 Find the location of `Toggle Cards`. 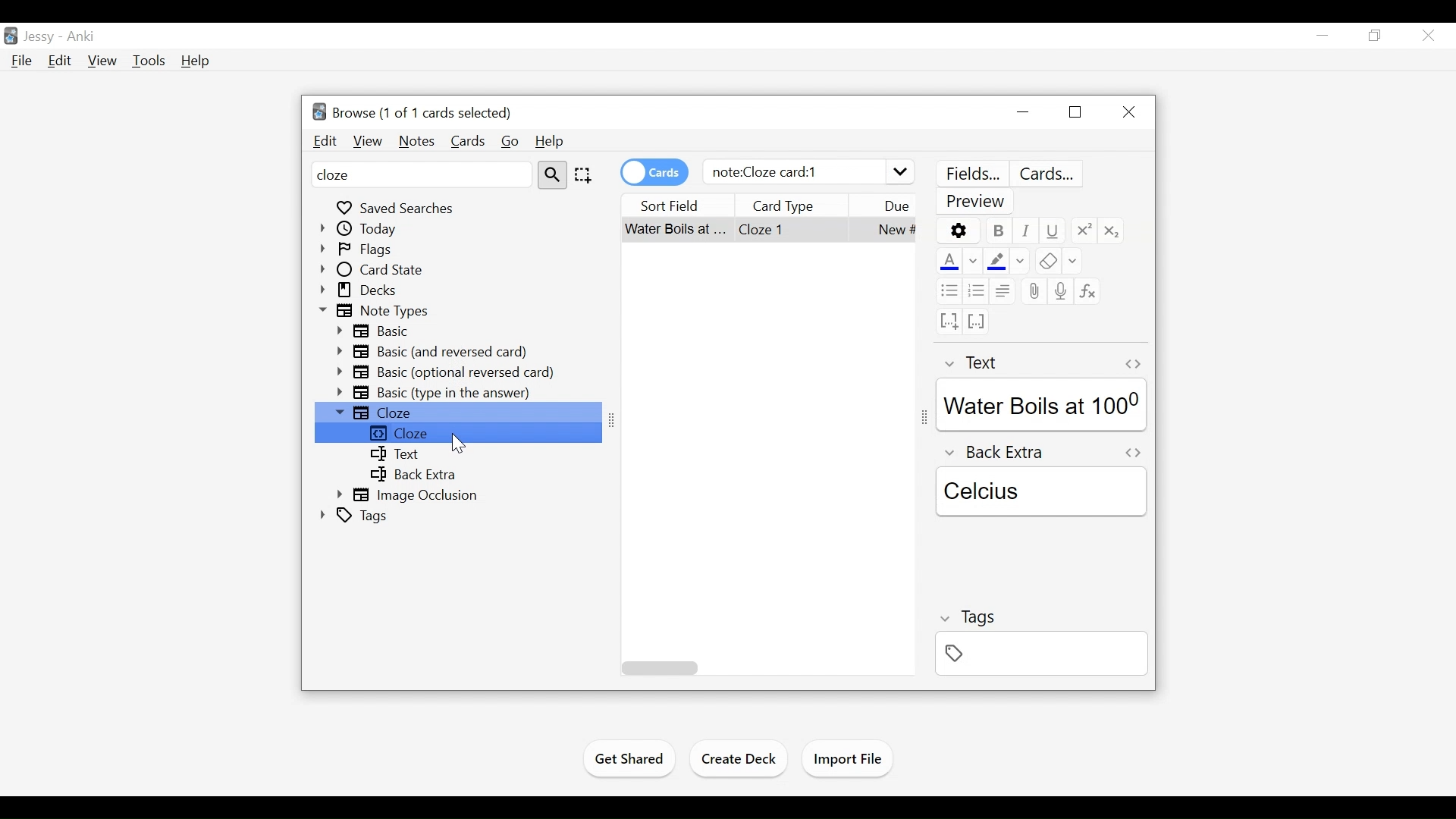

Toggle Cards is located at coordinates (656, 172).